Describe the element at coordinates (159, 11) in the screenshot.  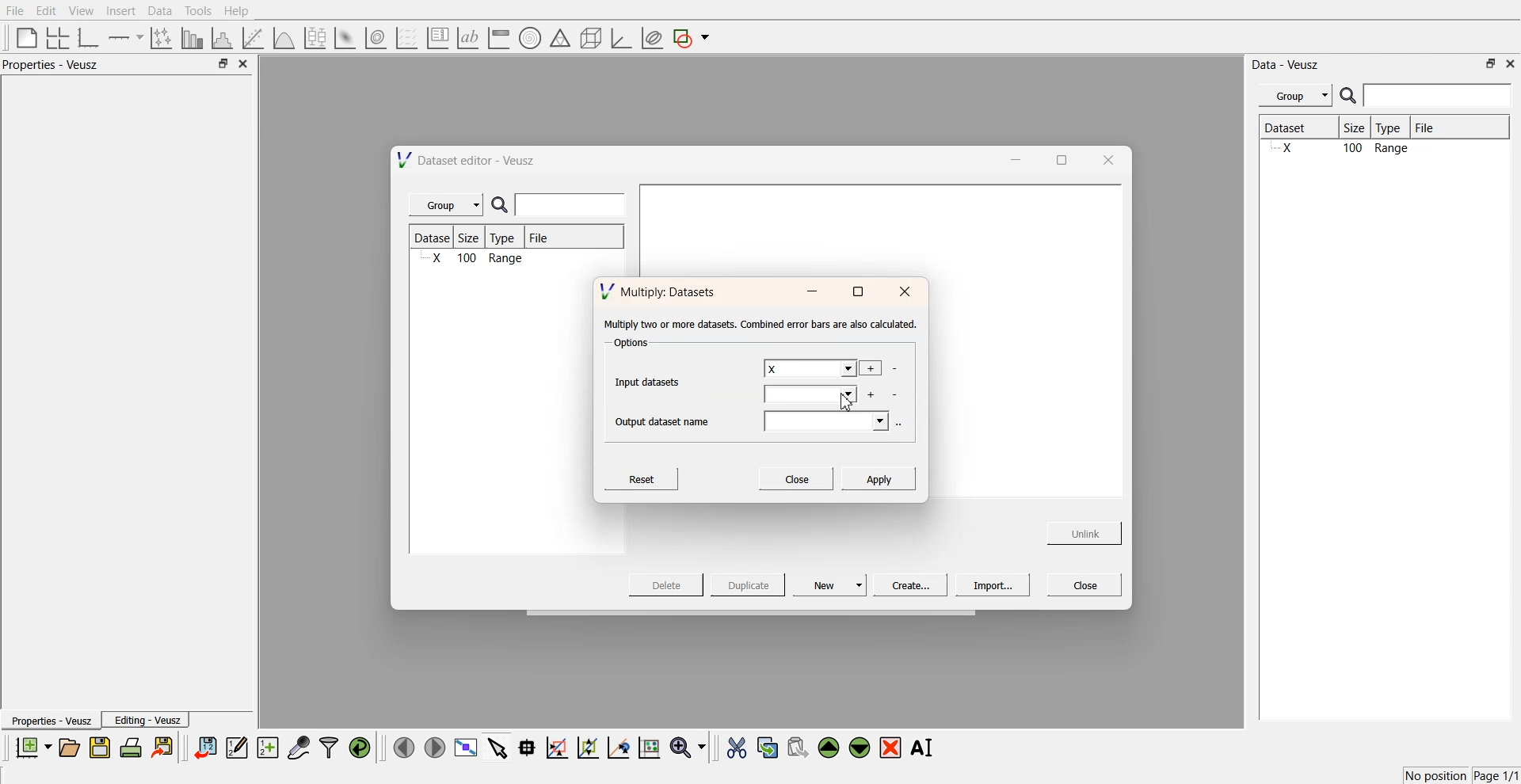
I see `Data` at that location.